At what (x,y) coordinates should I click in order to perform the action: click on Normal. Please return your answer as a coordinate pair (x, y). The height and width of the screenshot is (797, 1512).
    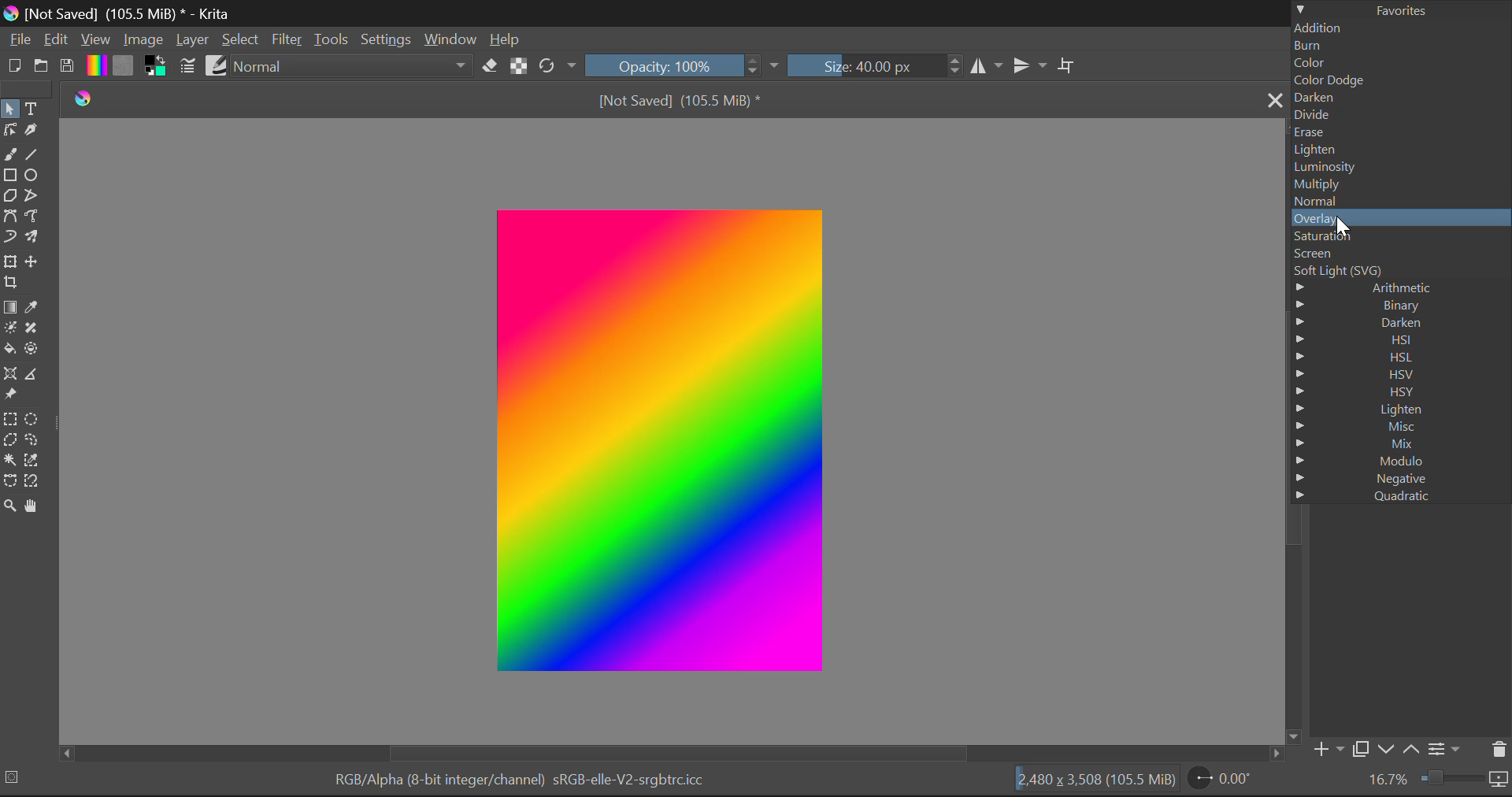
    Looking at the image, I should click on (1400, 202).